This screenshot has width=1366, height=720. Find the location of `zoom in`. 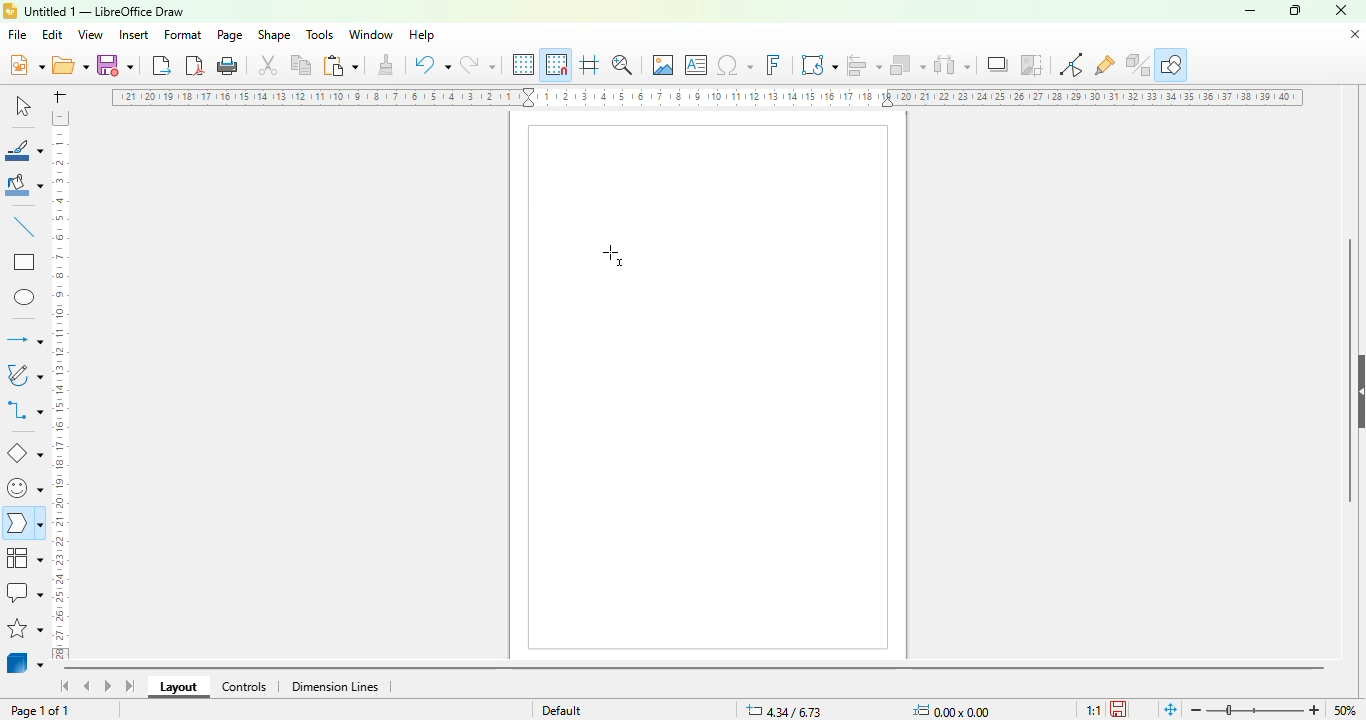

zoom in is located at coordinates (1314, 710).